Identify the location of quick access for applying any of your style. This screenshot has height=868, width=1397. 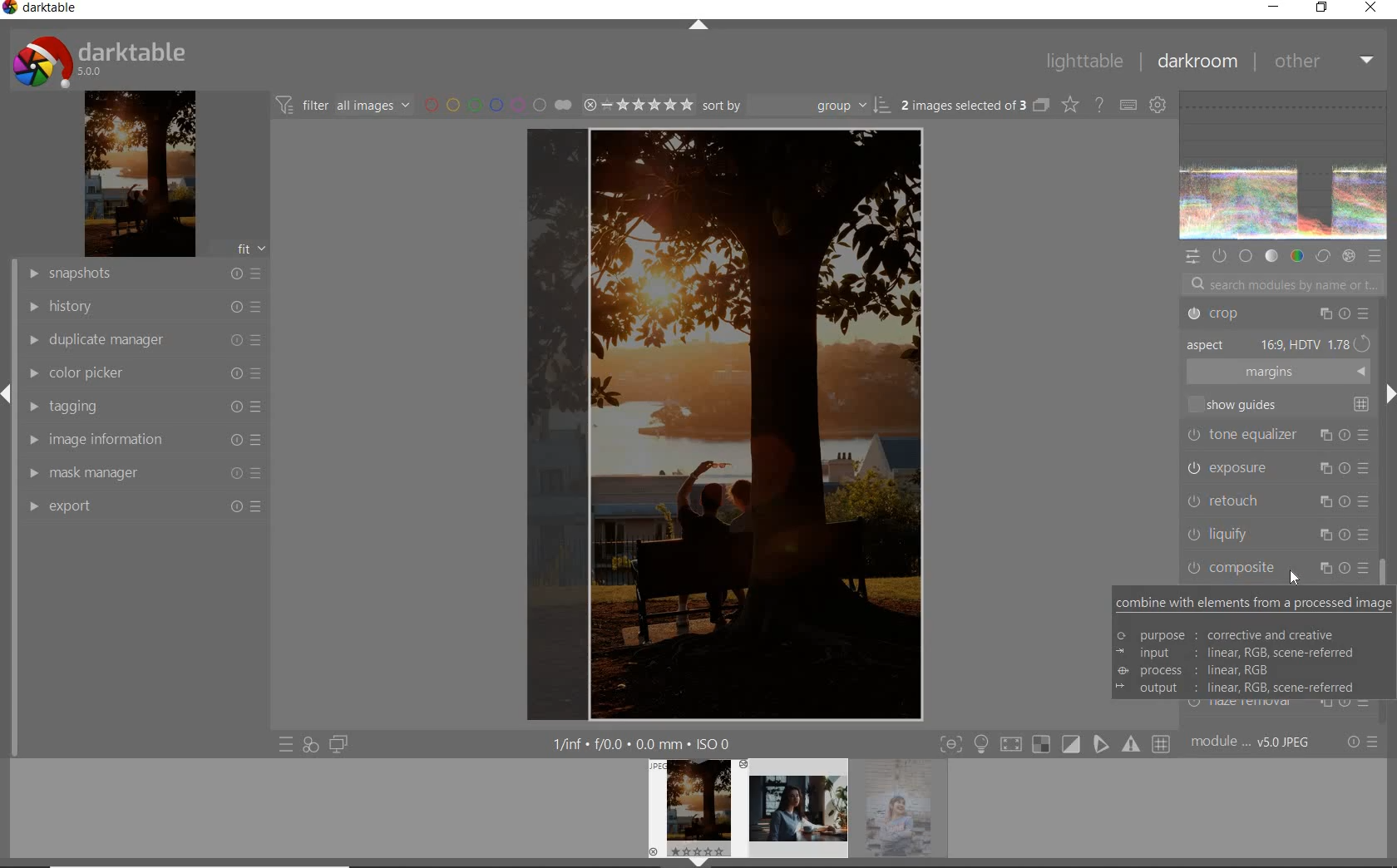
(311, 746).